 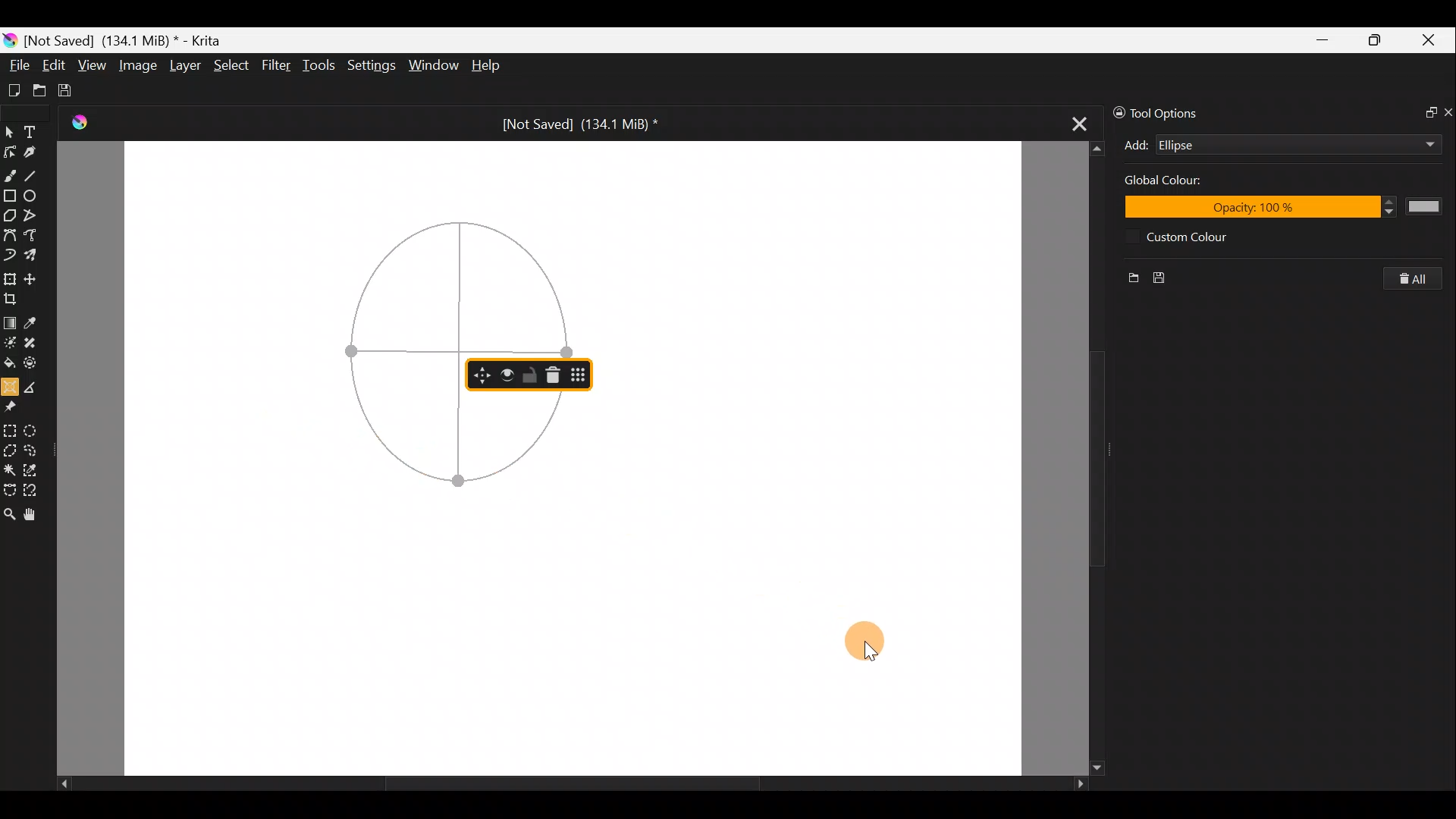 I want to click on Measure the distance between two points, so click(x=36, y=386).